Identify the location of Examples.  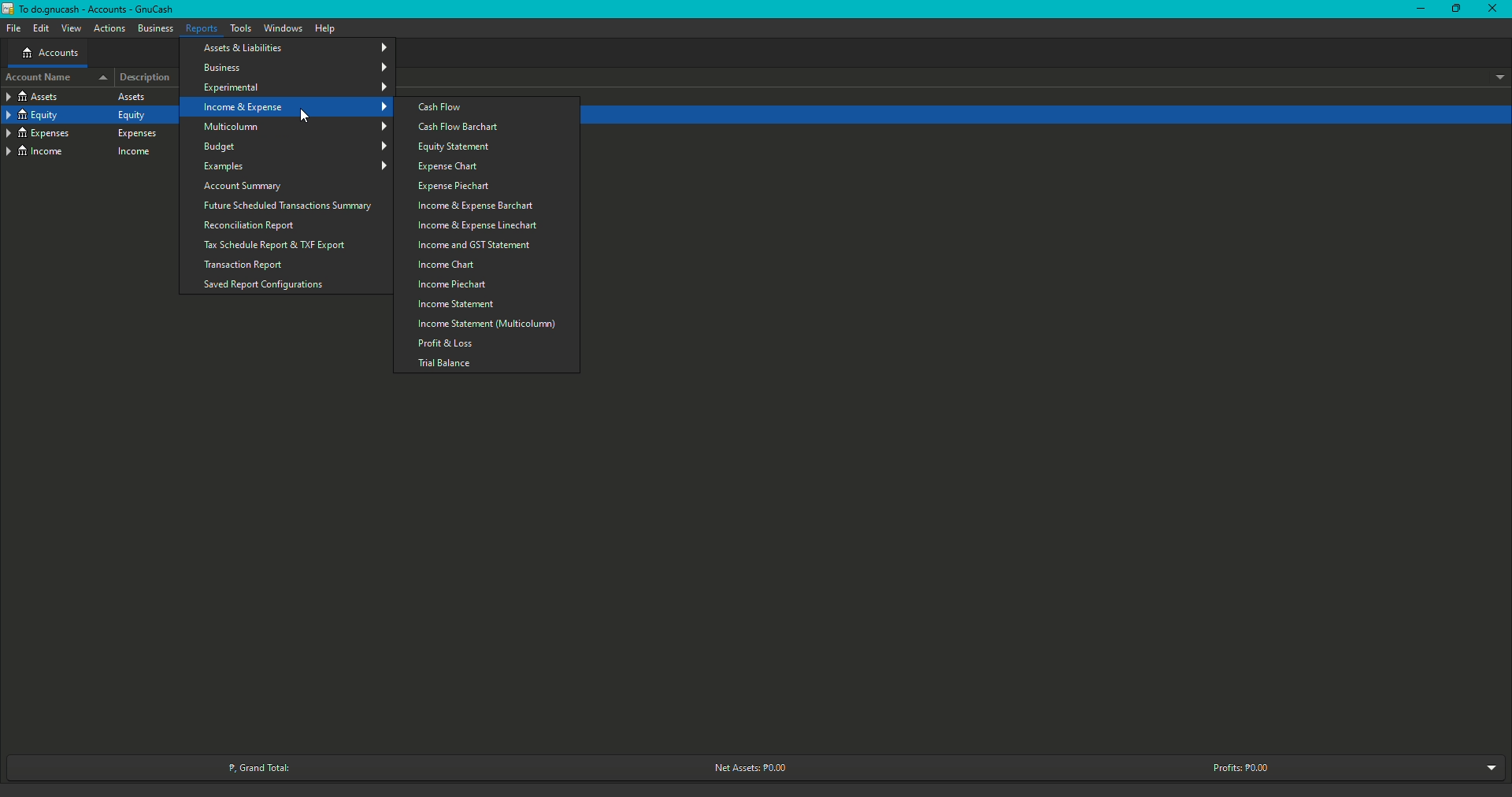
(297, 166).